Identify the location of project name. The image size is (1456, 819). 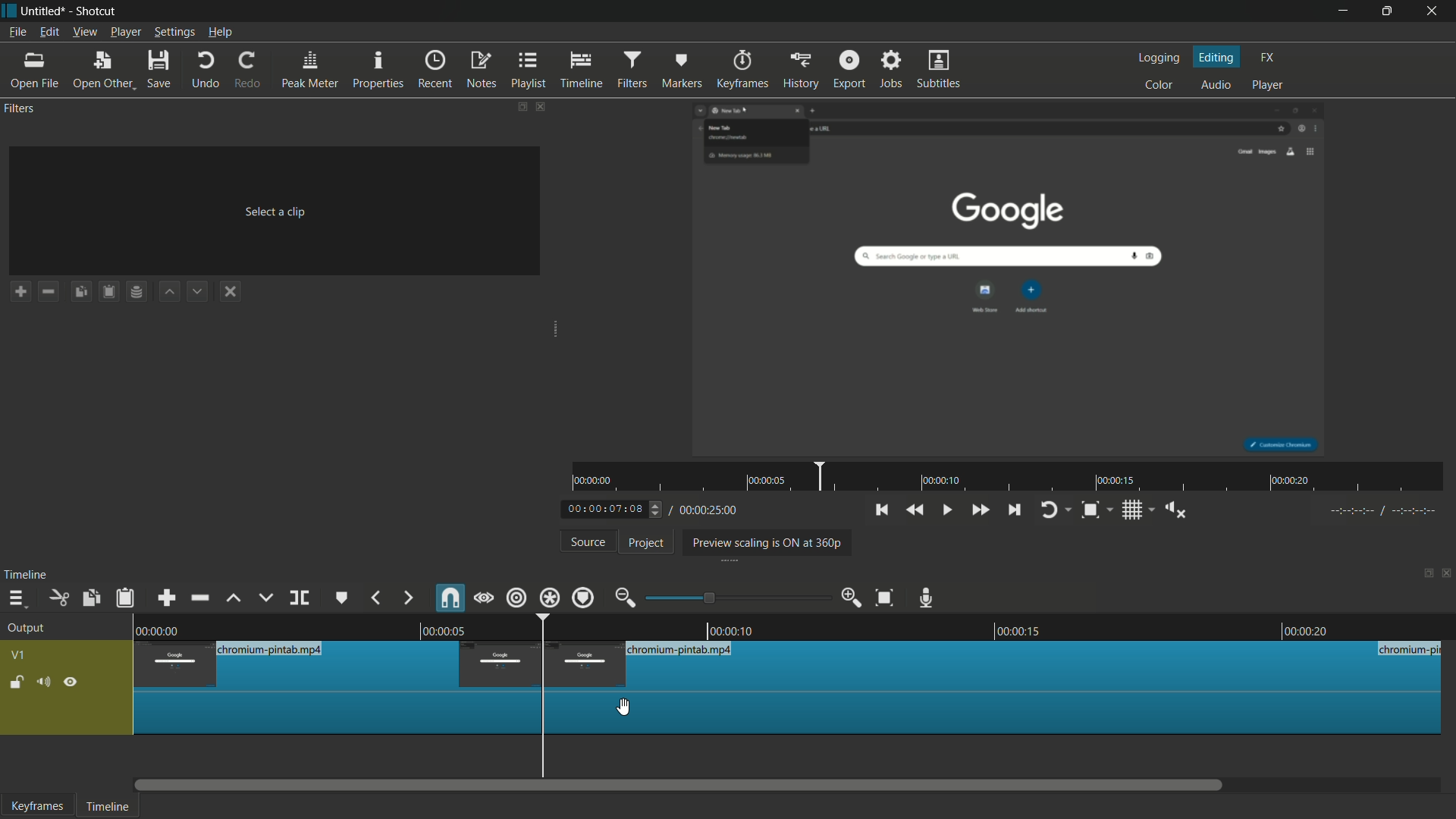
(41, 11).